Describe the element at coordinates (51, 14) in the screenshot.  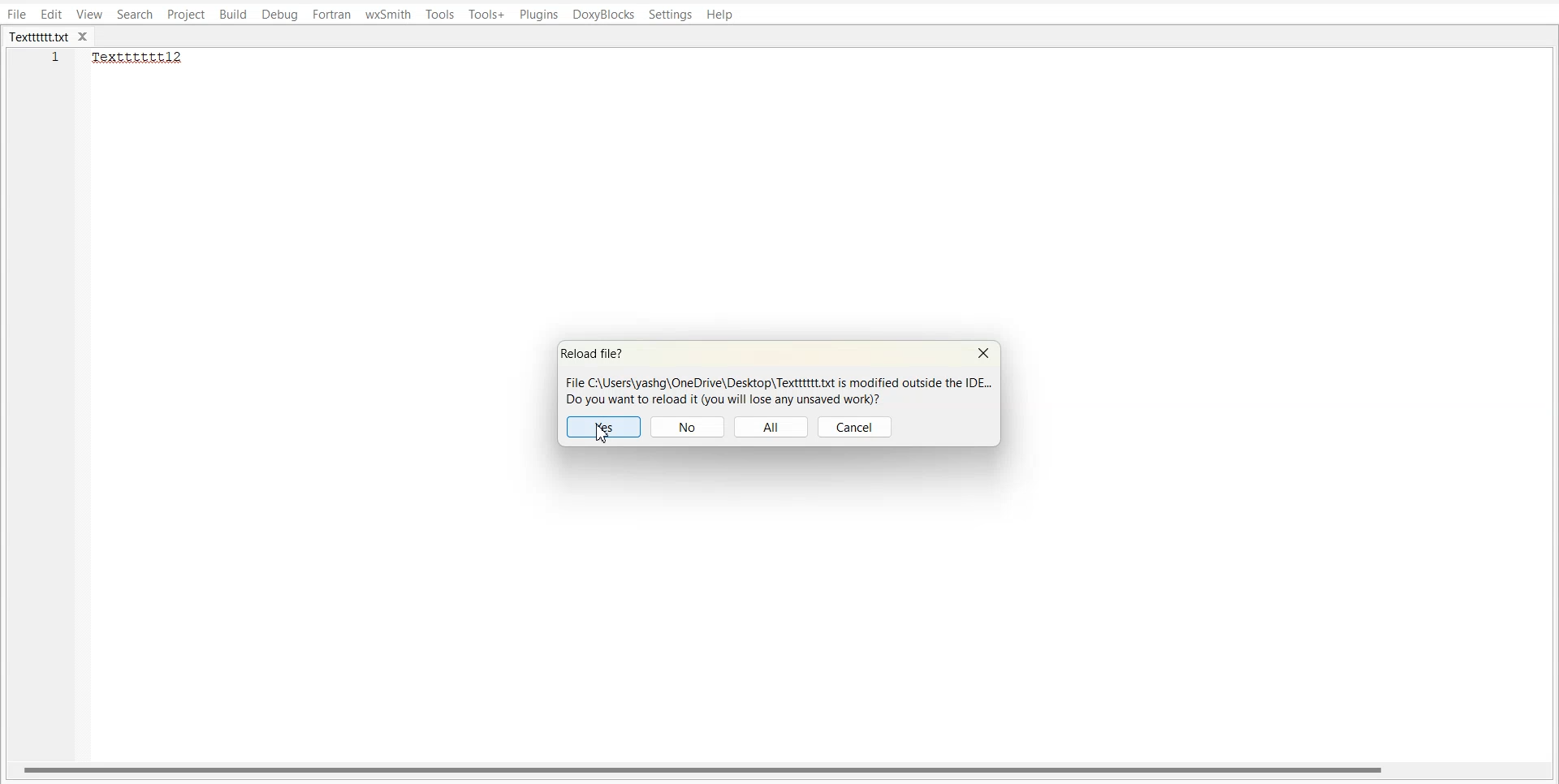
I see `Edit` at that location.